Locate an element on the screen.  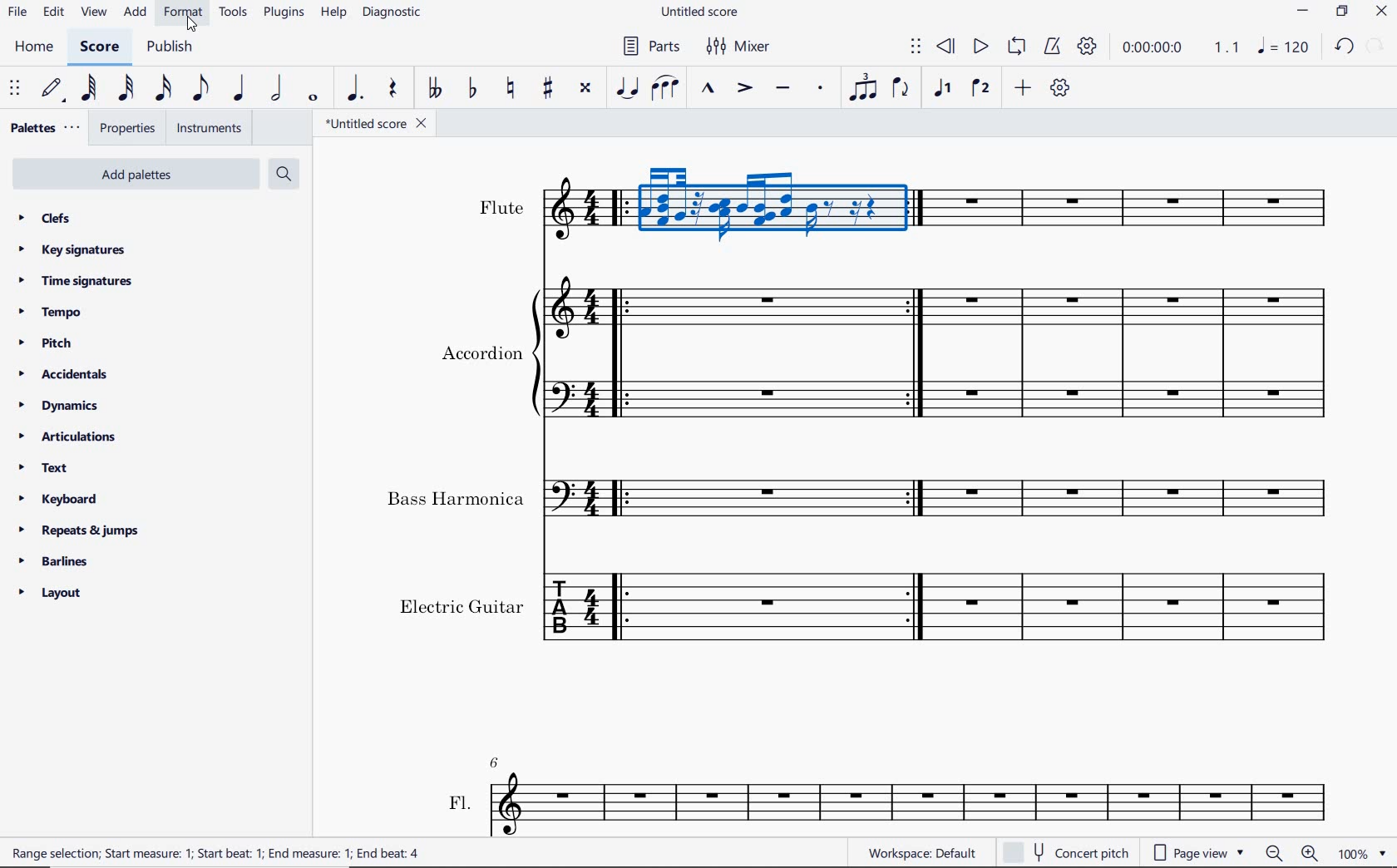
text is located at coordinates (43, 468).